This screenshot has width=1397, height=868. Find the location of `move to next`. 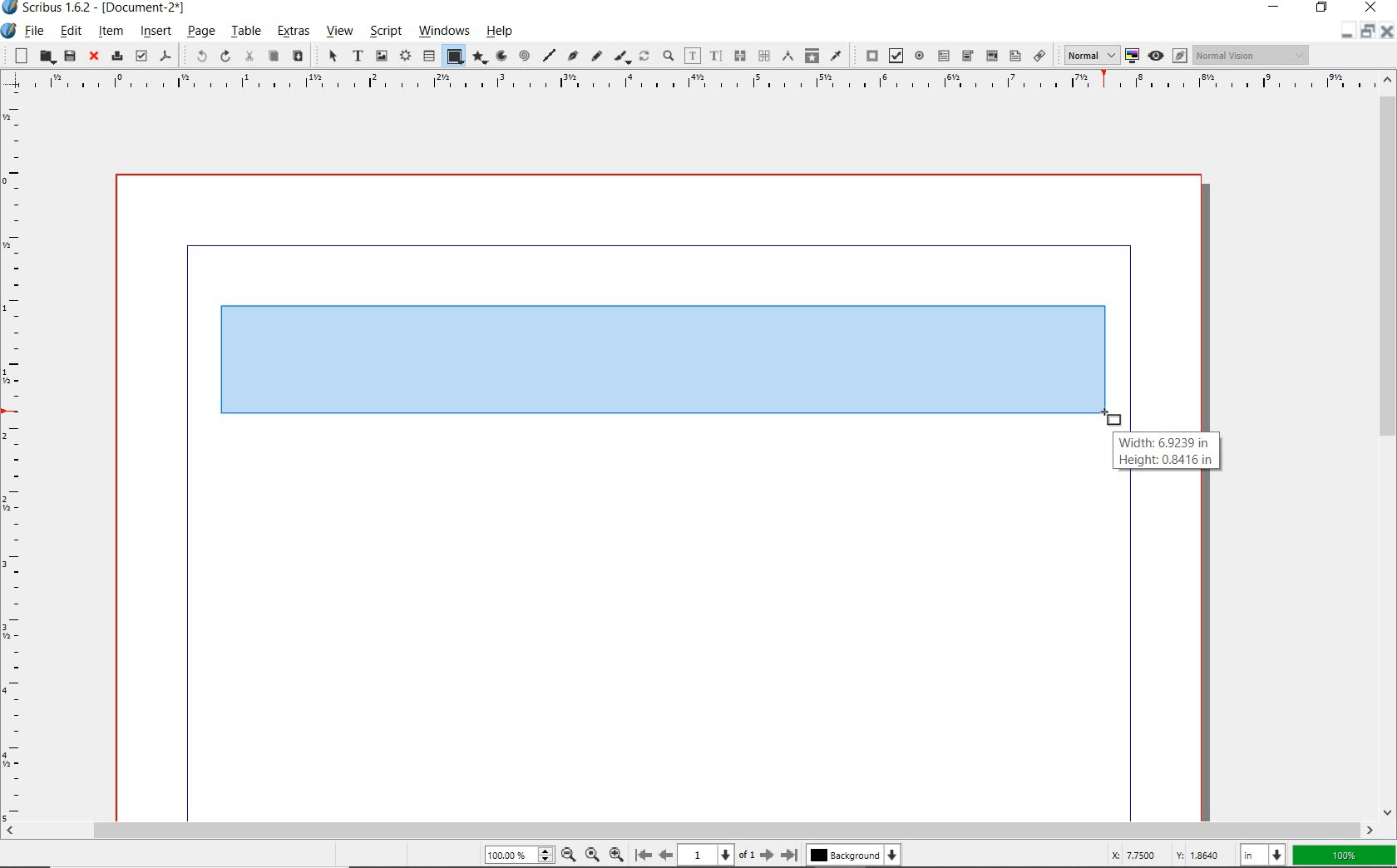

move to next is located at coordinates (768, 855).